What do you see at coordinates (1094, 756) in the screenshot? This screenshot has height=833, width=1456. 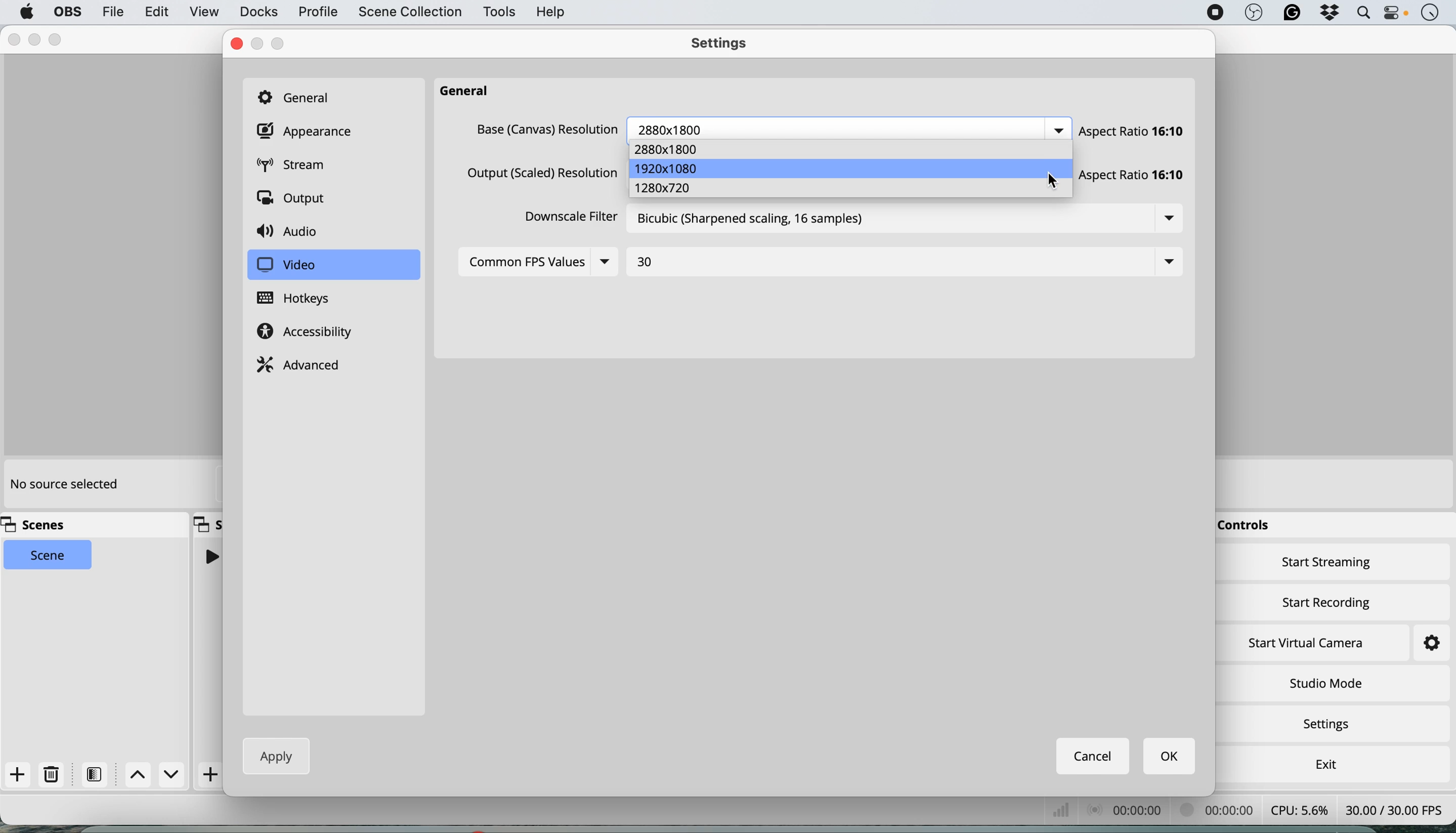 I see `cancel` at bounding box center [1094, 756].